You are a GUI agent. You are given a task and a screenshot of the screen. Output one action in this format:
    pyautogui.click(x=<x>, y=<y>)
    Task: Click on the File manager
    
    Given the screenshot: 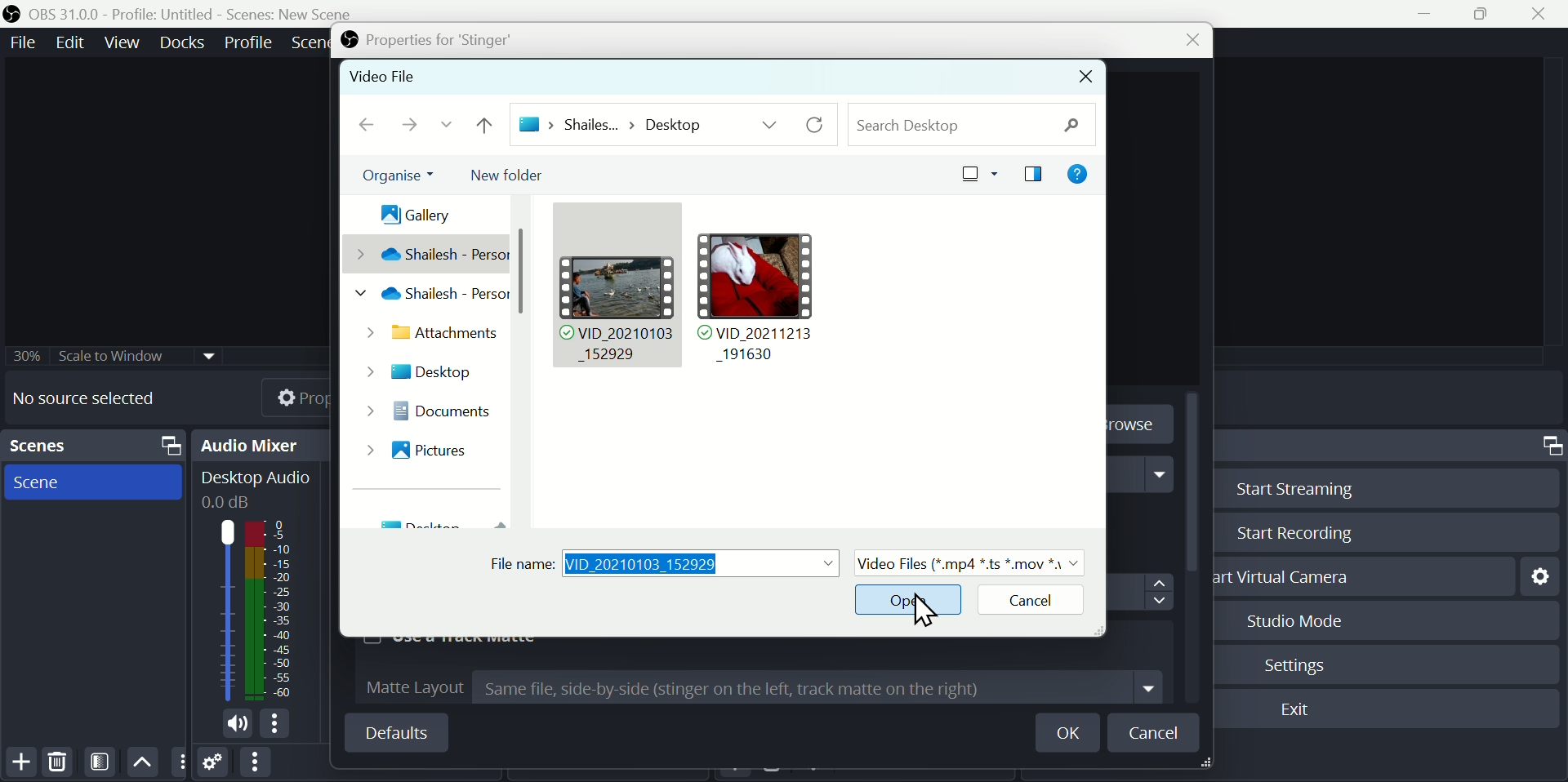 What is the action you would take?
    pyautogui.click(x=715, y=314)
    